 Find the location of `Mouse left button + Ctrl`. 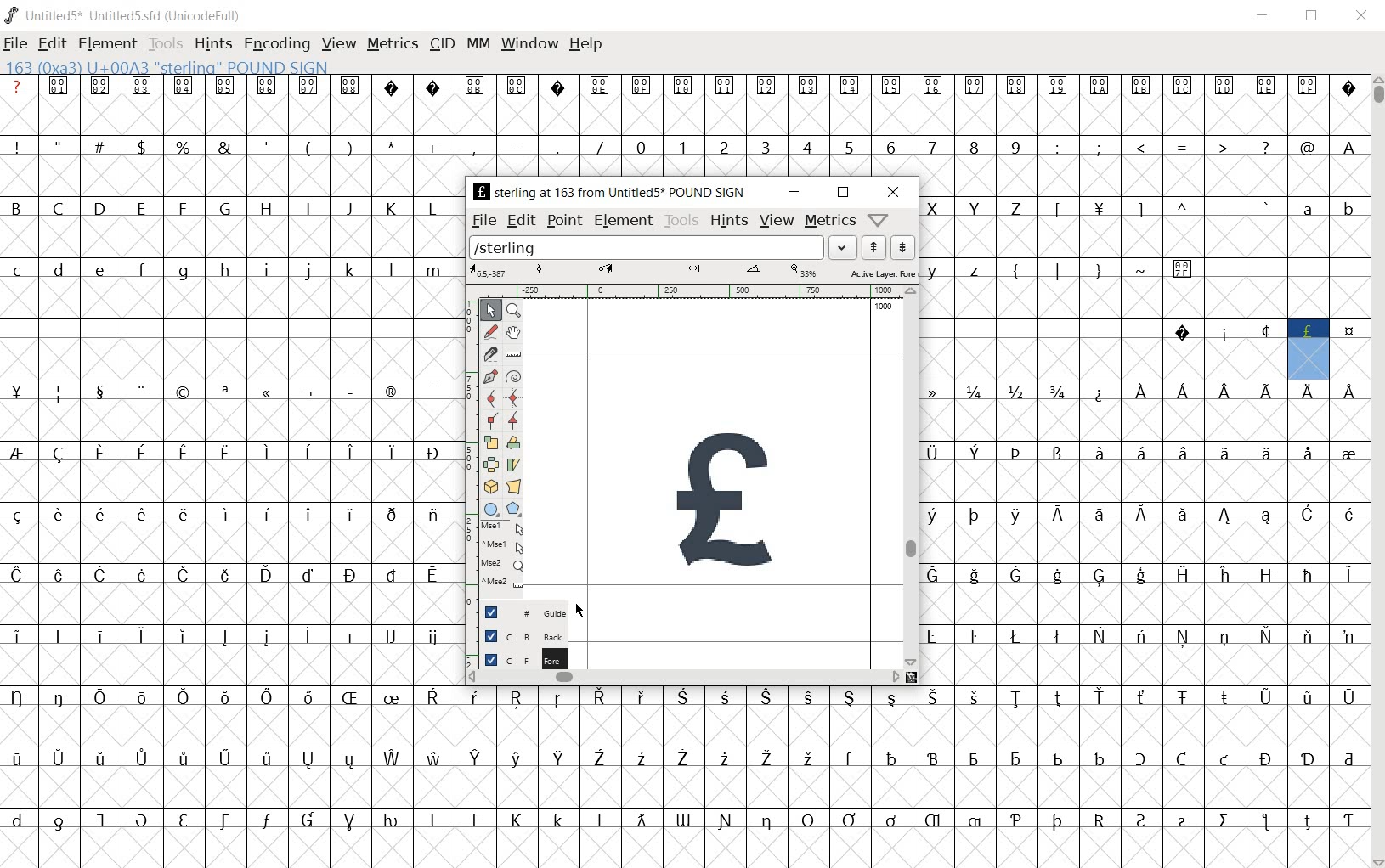

Mouse left button + Ctrl is located at coordinates (506, 547).